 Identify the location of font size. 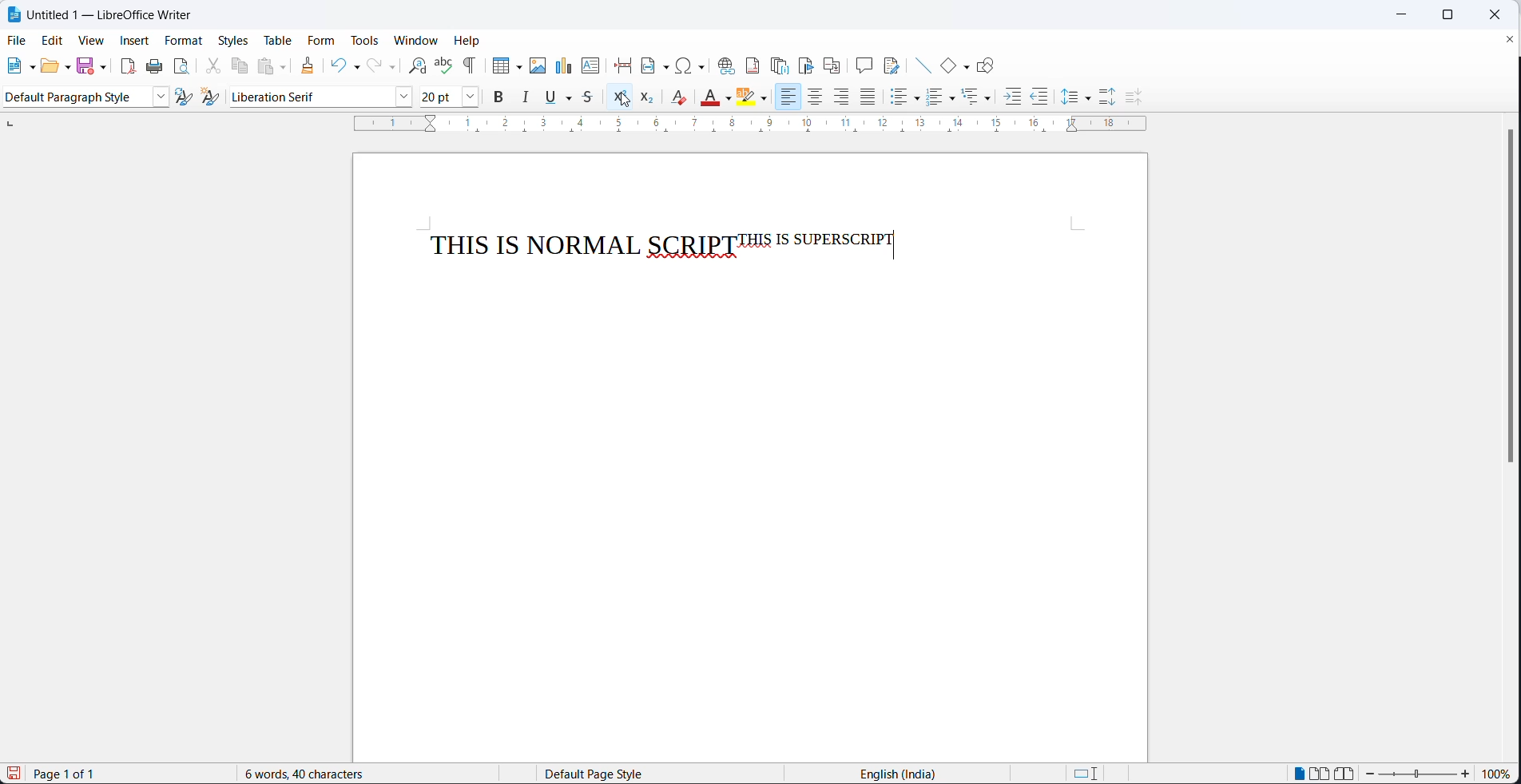
(441, 96).